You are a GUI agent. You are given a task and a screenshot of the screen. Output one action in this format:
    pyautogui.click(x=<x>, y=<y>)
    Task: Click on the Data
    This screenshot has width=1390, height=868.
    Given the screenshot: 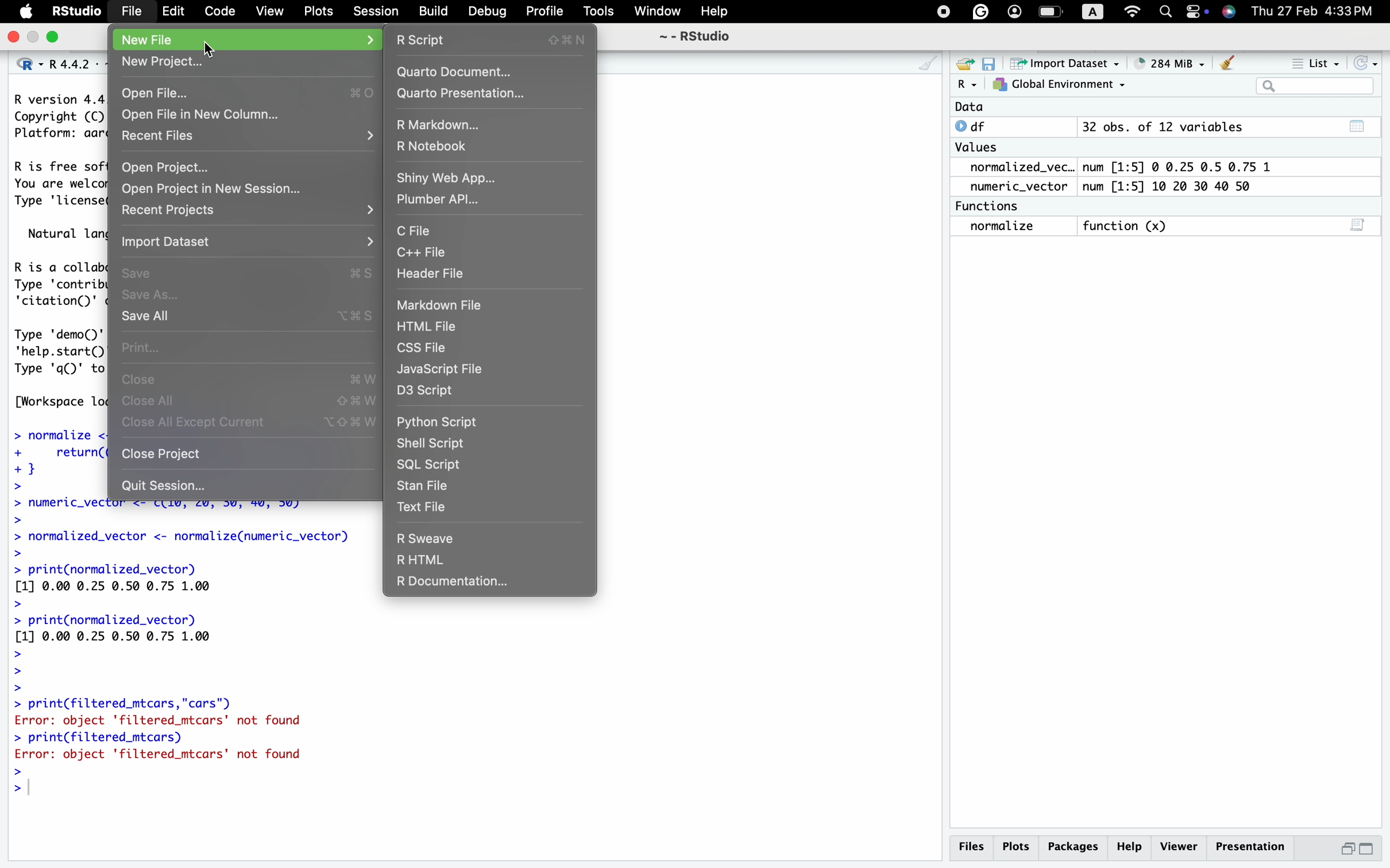 What is the action you would take?
    pyautogui.click(x=969, y=107)
    